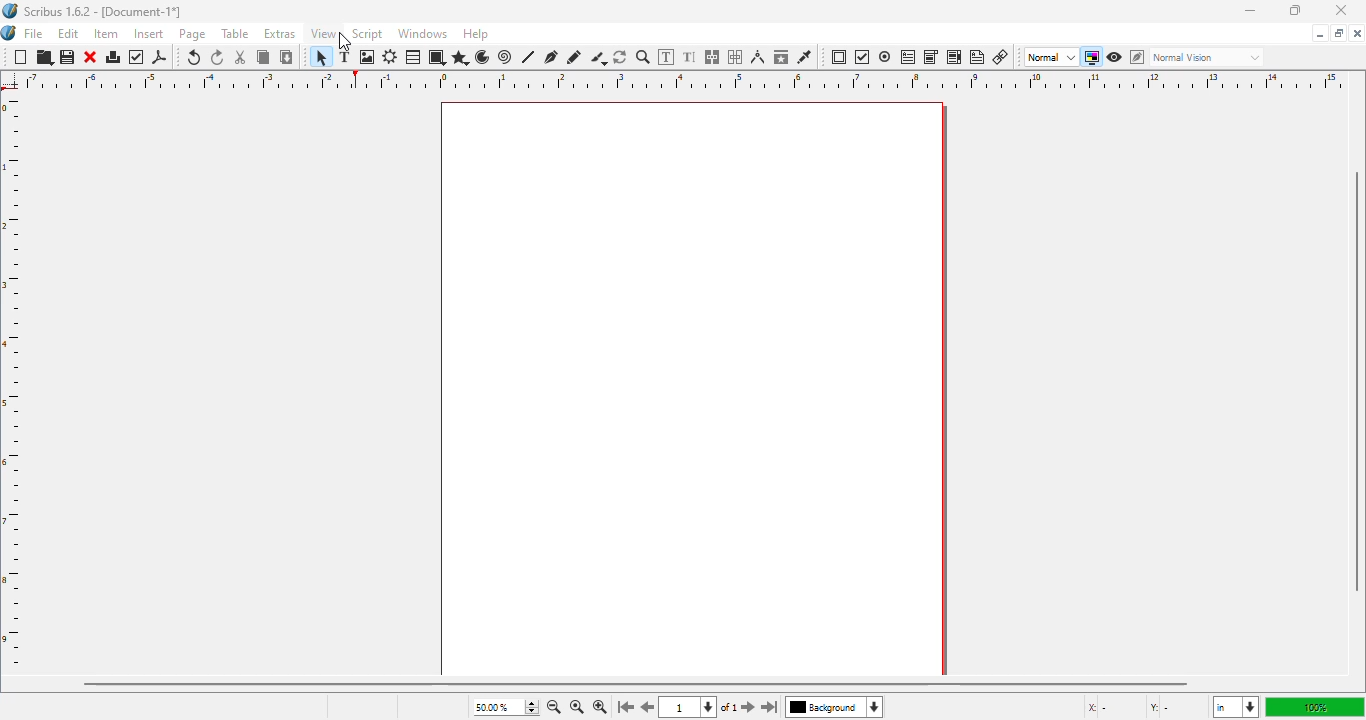 The width and height of the screenshot is (1366, 720). Describe the element at coordinates (804, 57) in the screenshot. I see `eye dropper` at that location.